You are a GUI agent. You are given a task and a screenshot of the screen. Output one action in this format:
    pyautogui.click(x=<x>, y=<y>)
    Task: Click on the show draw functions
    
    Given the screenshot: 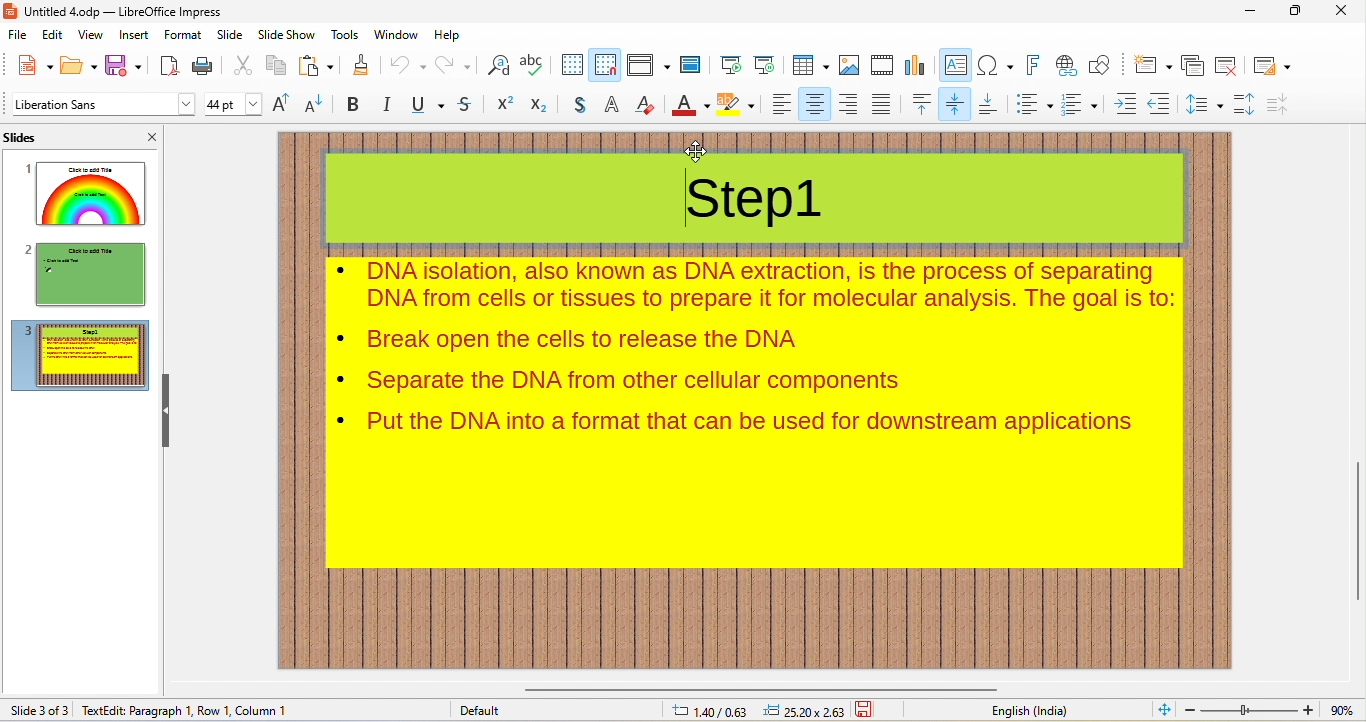 What is the action you would take?
    pyautogui.click(x=1102, y=65)
    